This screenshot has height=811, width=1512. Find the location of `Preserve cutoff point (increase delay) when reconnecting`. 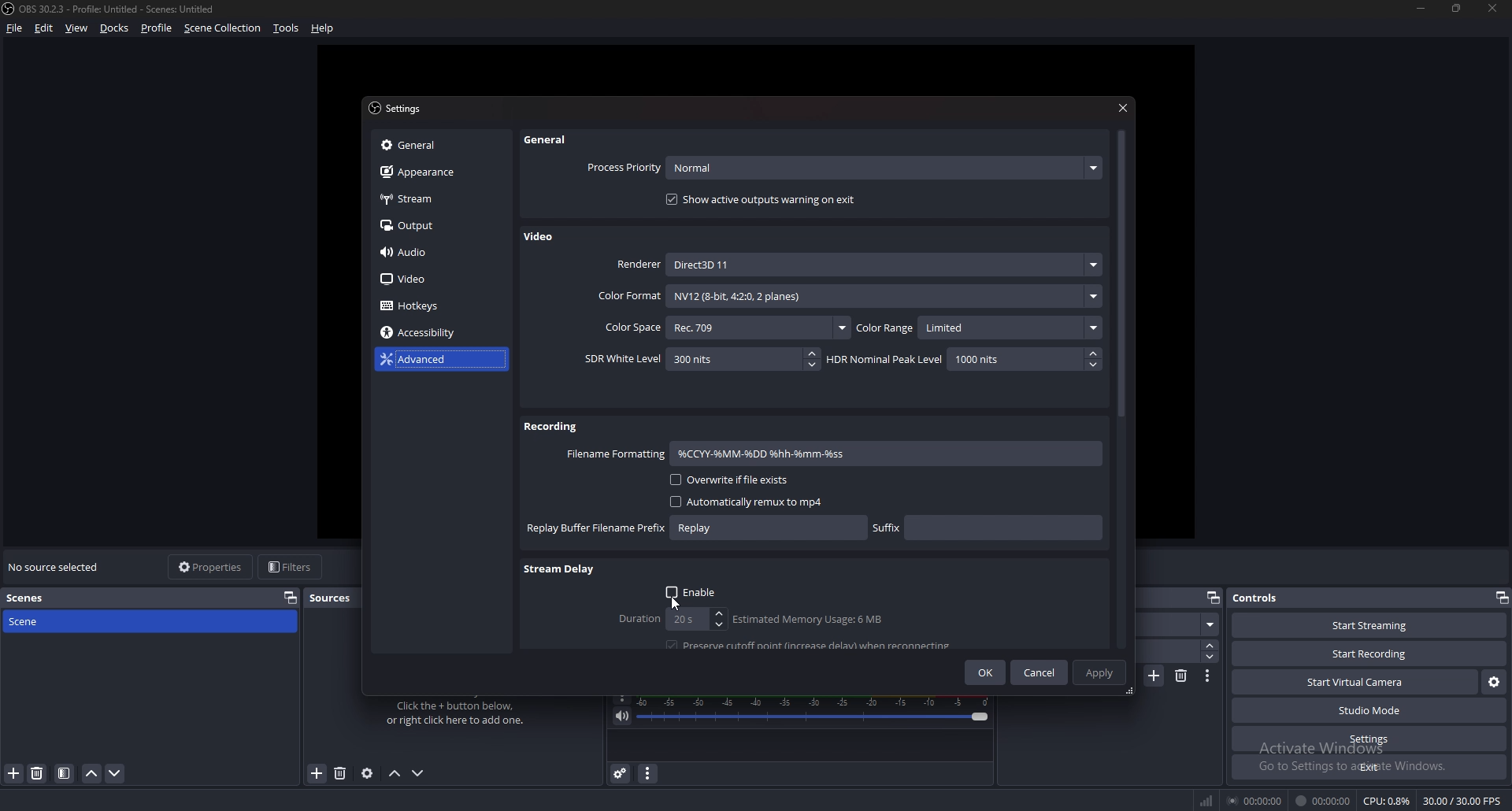

Preserve cutoff point (increase delay) when reconnecting is located at coordinates (811, 644).